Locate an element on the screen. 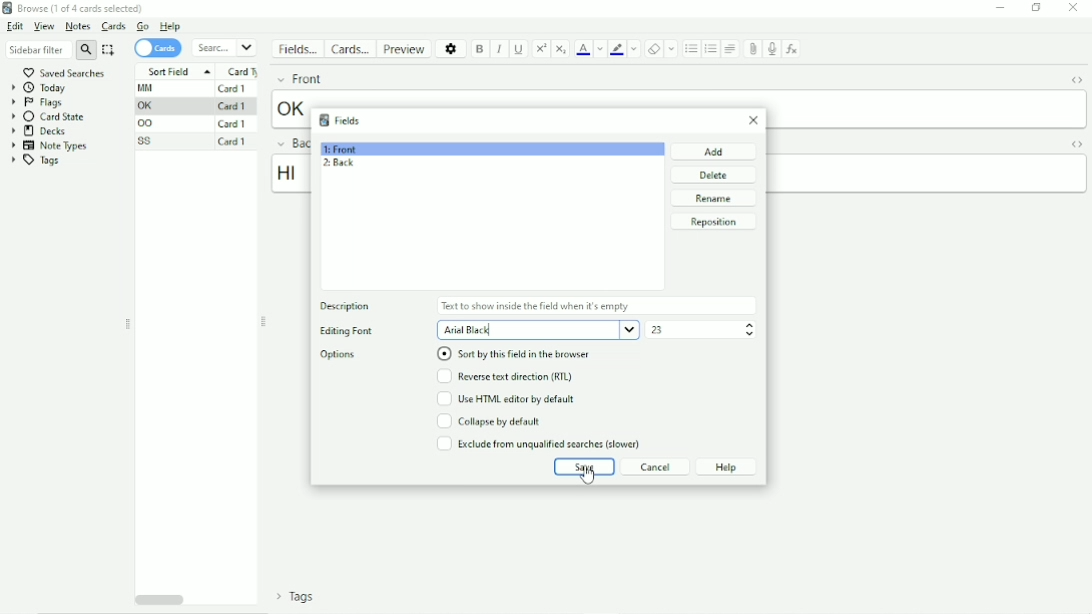 The width and height of the screenshot is (1092, 614). Card 1 is located at coordinates (233, 124).